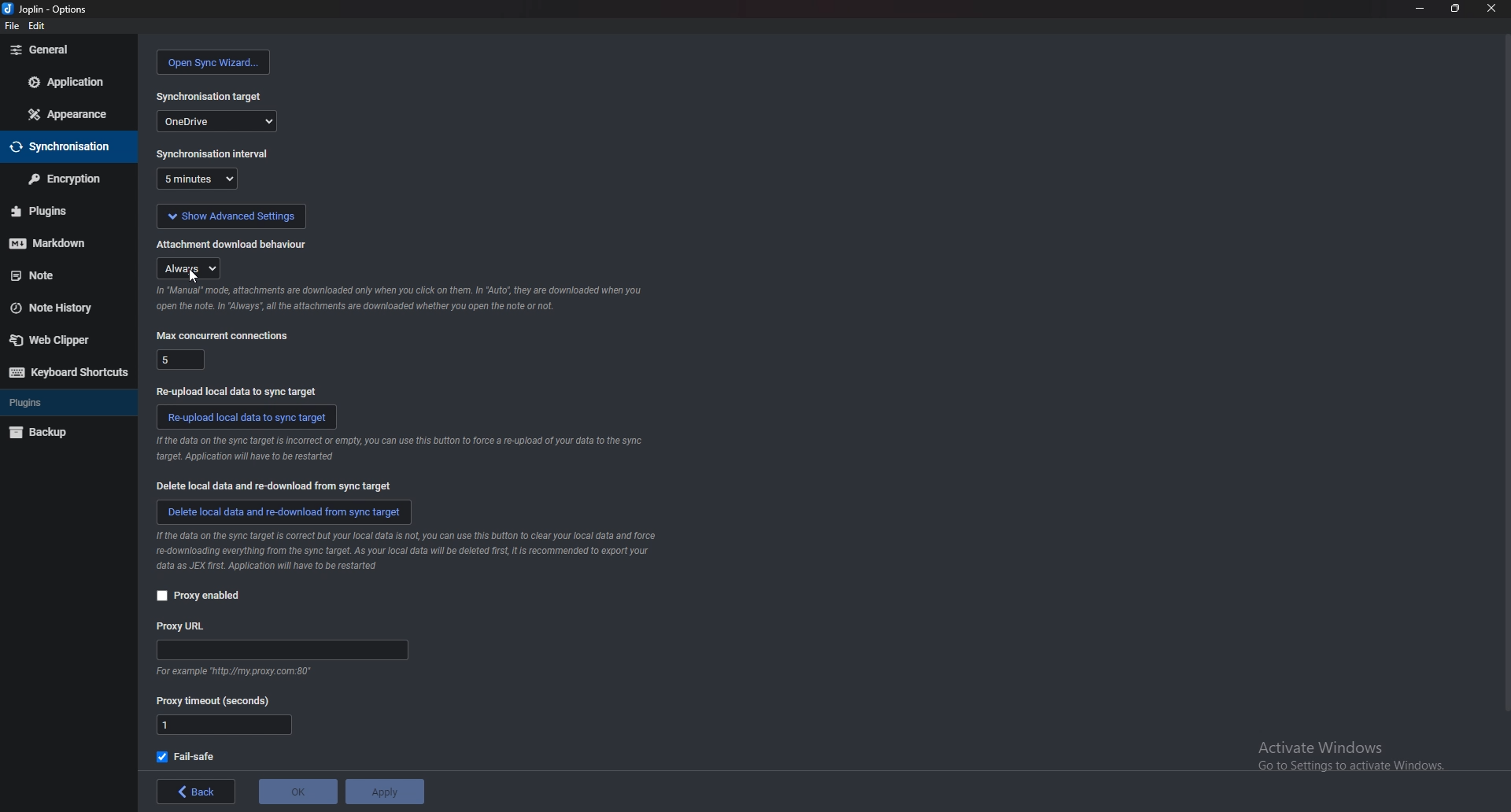 The height and width of the screenshot is (812, 1511). I want to click on ok, so click(297, 792).